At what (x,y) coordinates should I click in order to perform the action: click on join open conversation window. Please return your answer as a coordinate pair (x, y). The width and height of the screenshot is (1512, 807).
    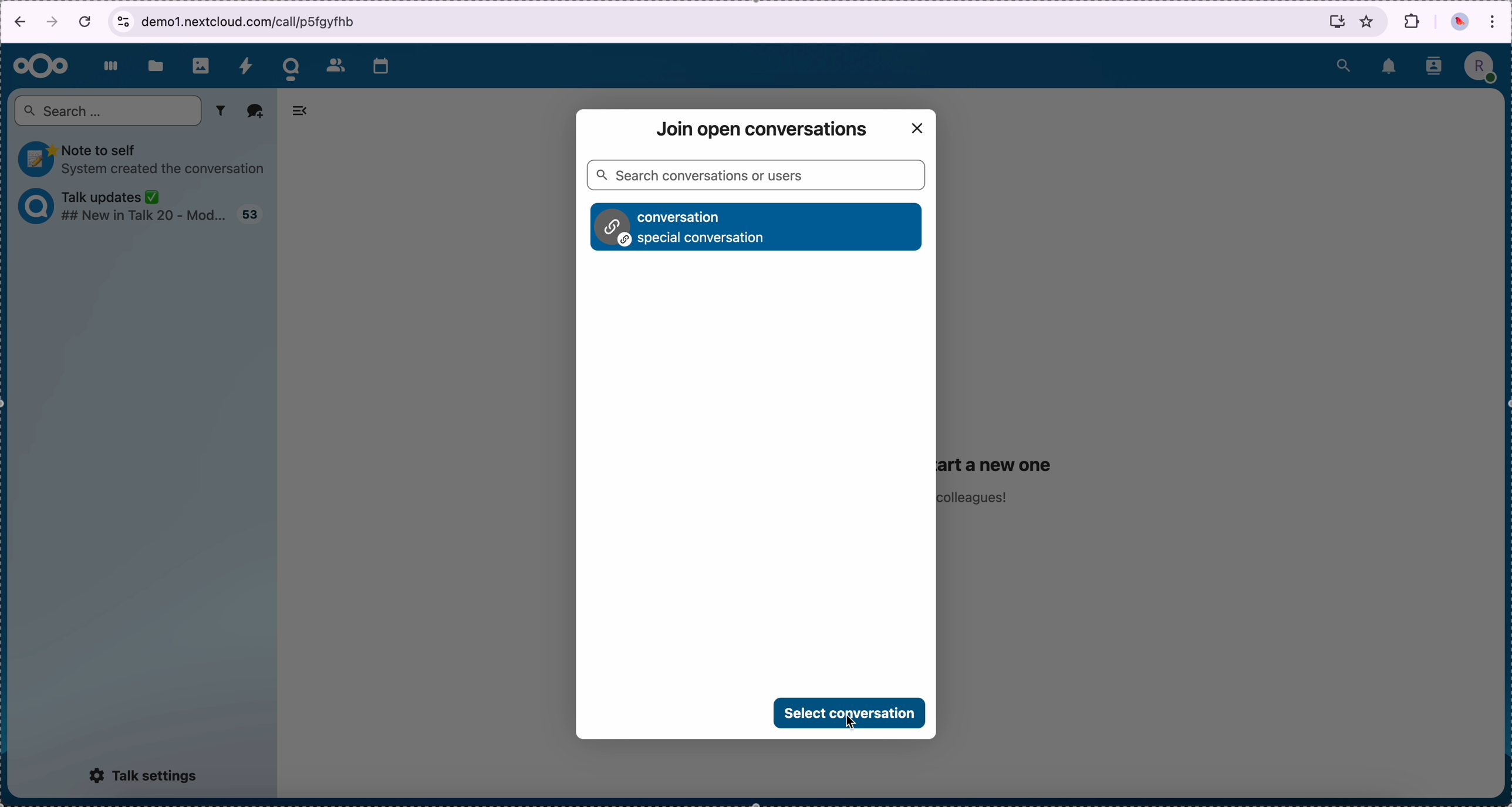
    Looking at the image, I should click on (761, 127).